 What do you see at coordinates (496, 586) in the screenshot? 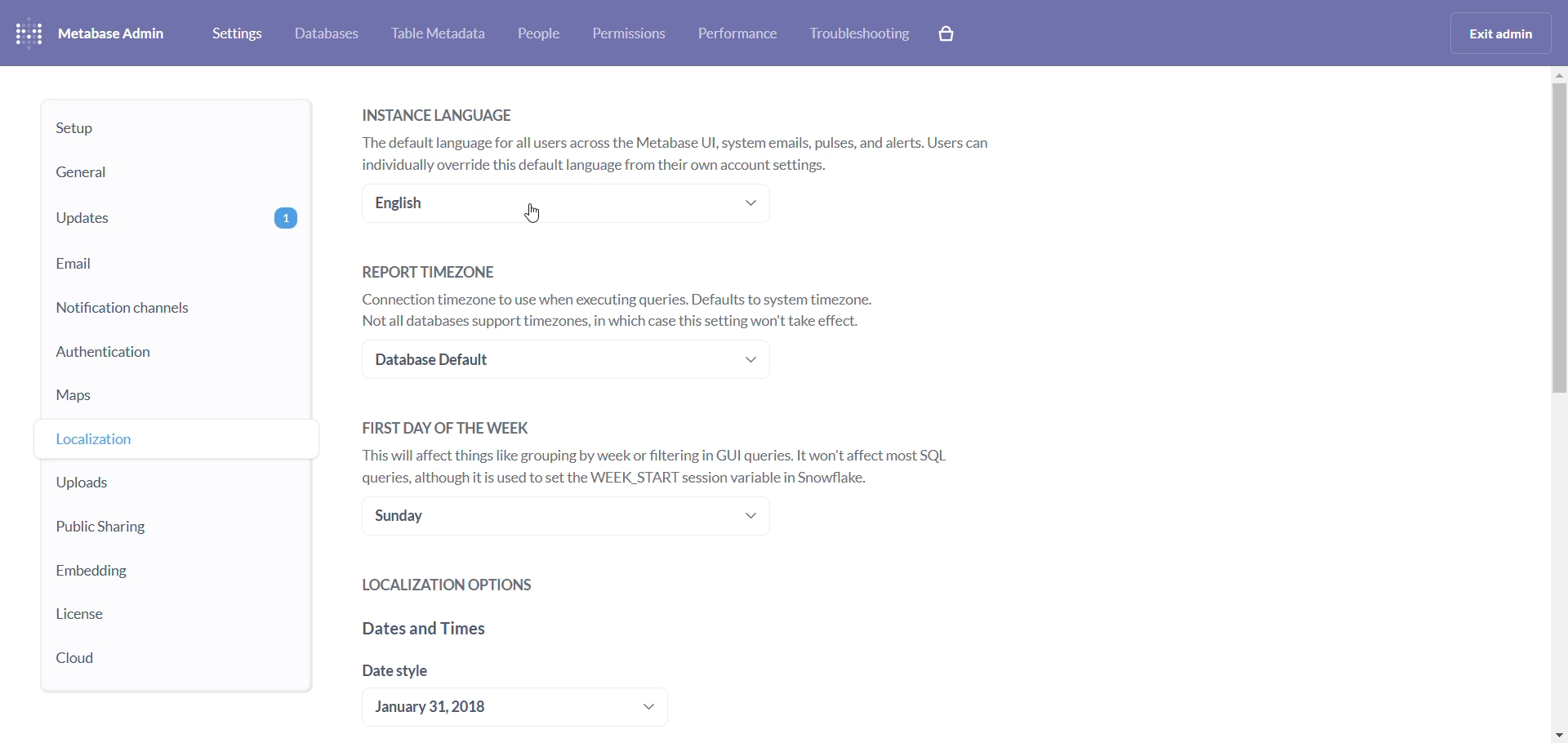
I see `localization options` at bounding box center [496, 586].